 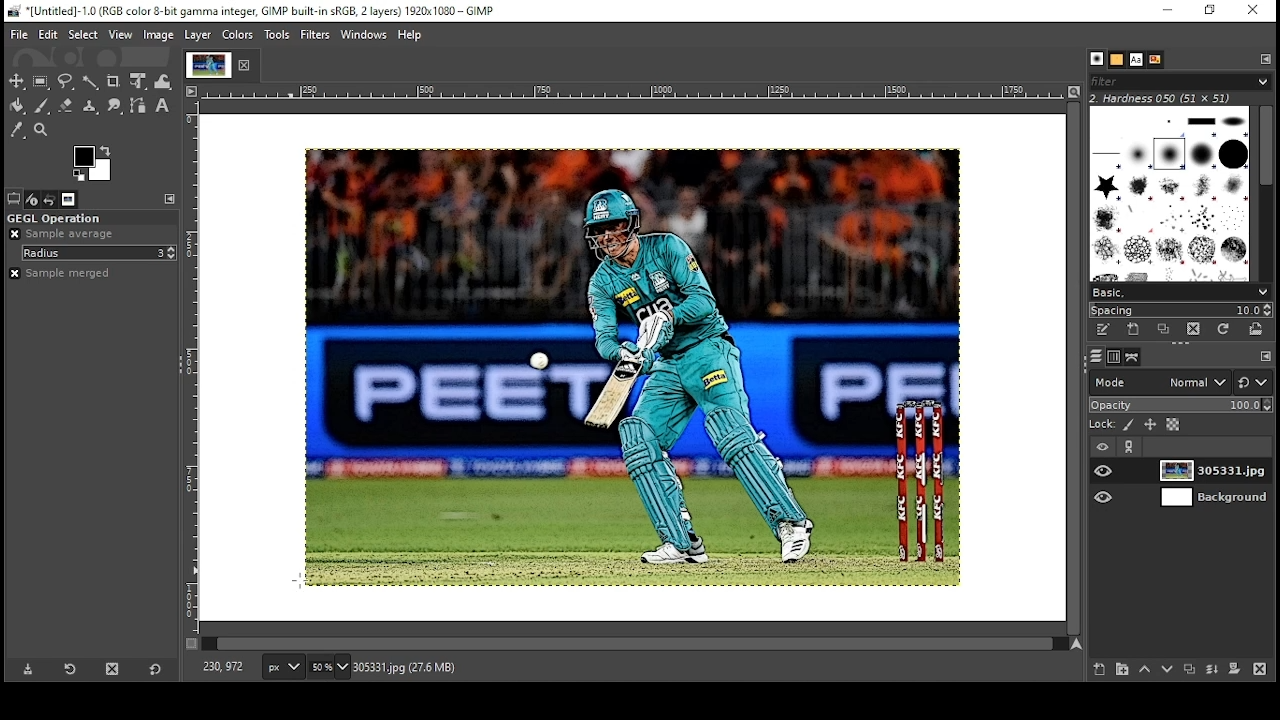 What do you see at coordinates (247, 64) in the screenshot?
I see `close` at bounding box center [247, 64].